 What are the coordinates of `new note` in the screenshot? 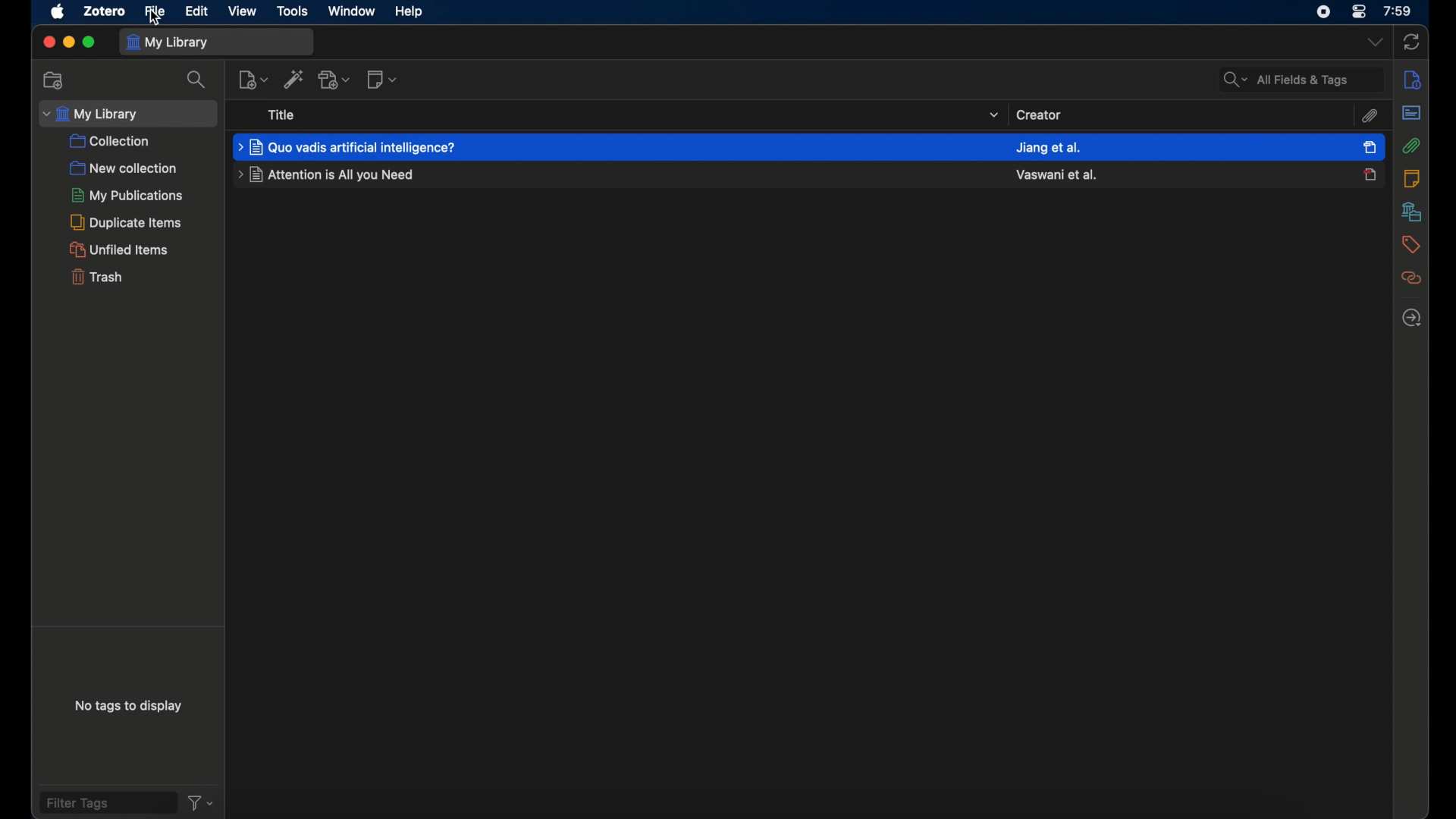 It's located at (381, 80).